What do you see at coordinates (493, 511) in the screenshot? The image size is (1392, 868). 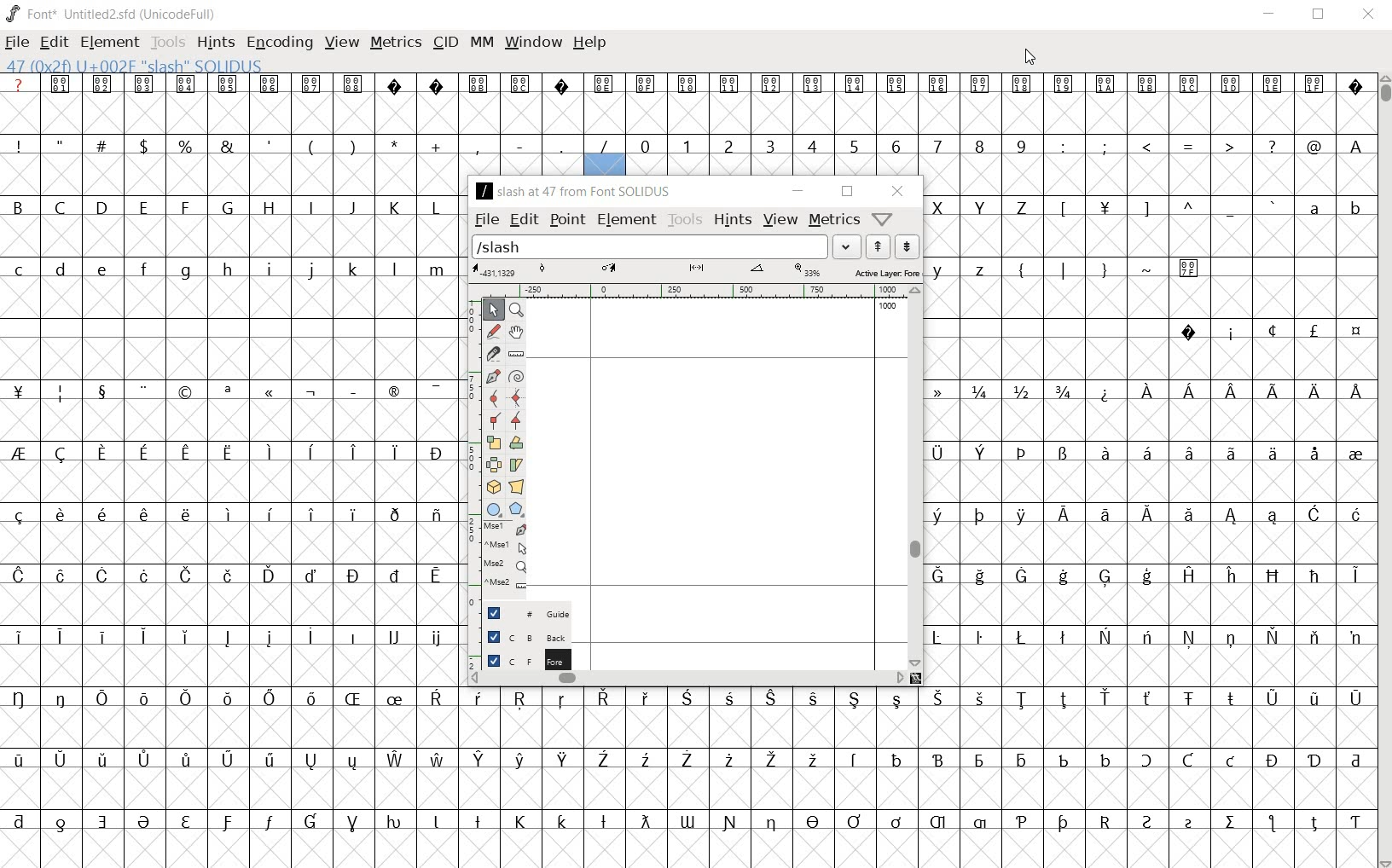 I see `rectangle or ellipse` at bounding box center [493, 511].